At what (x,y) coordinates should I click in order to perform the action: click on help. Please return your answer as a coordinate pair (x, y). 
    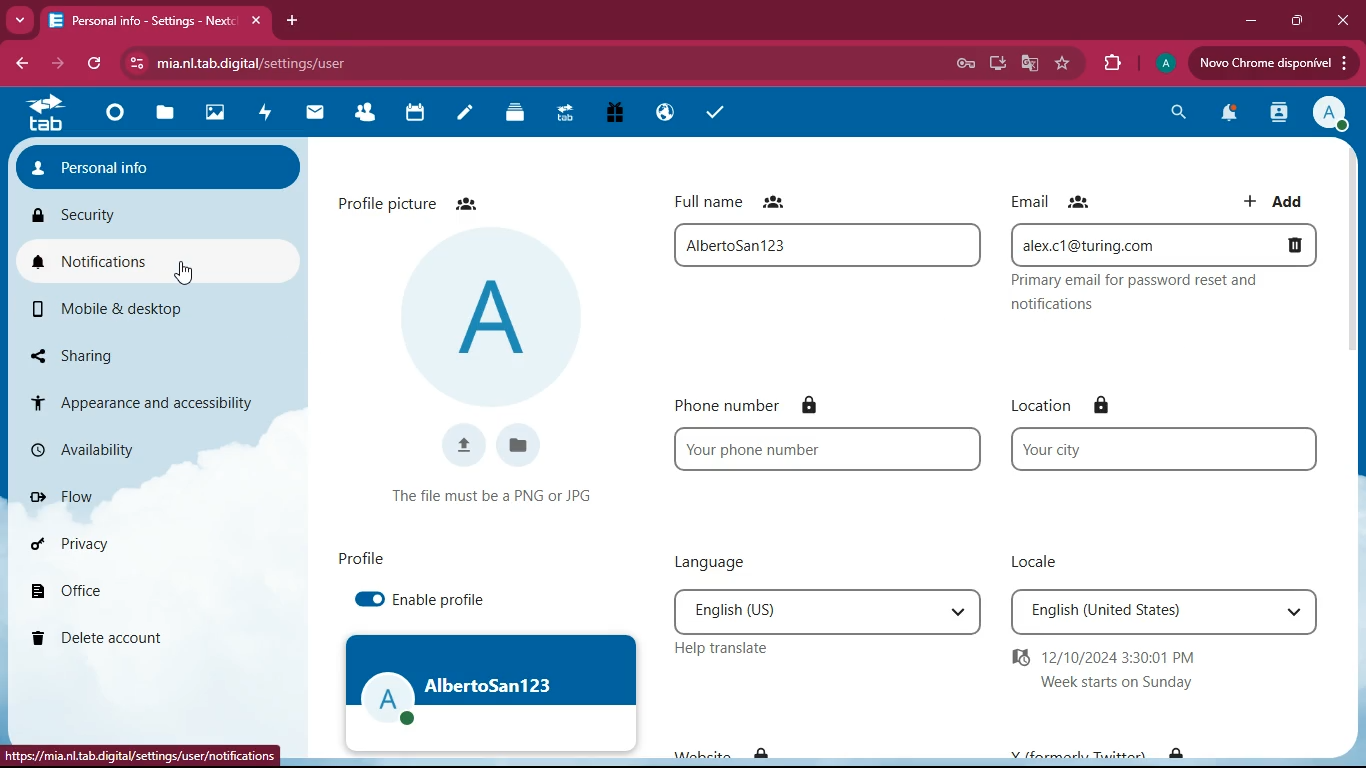
    Looking at the image, I should click on (723, 647).